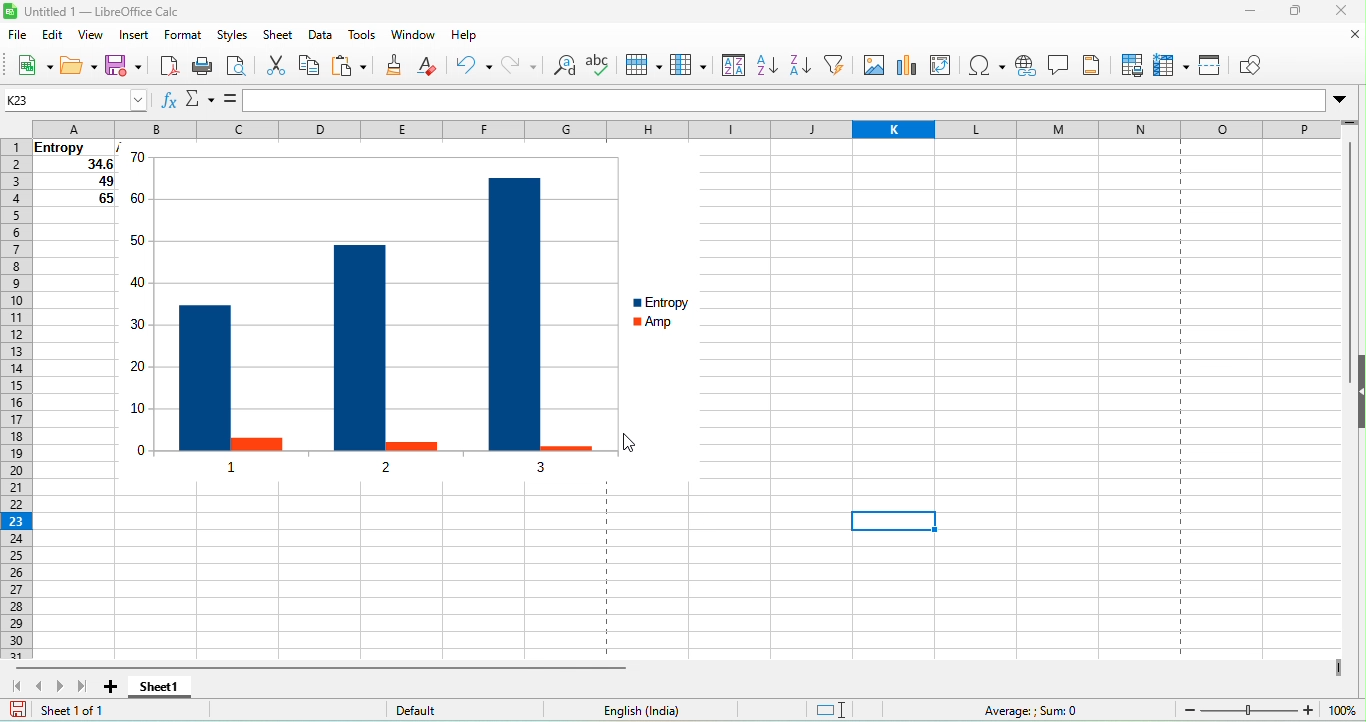 The image size is (1366, 722). What do you see at coordinates (633, 443) in the screenshot?
I see `cursor movement` at bounding box center [633, 443].